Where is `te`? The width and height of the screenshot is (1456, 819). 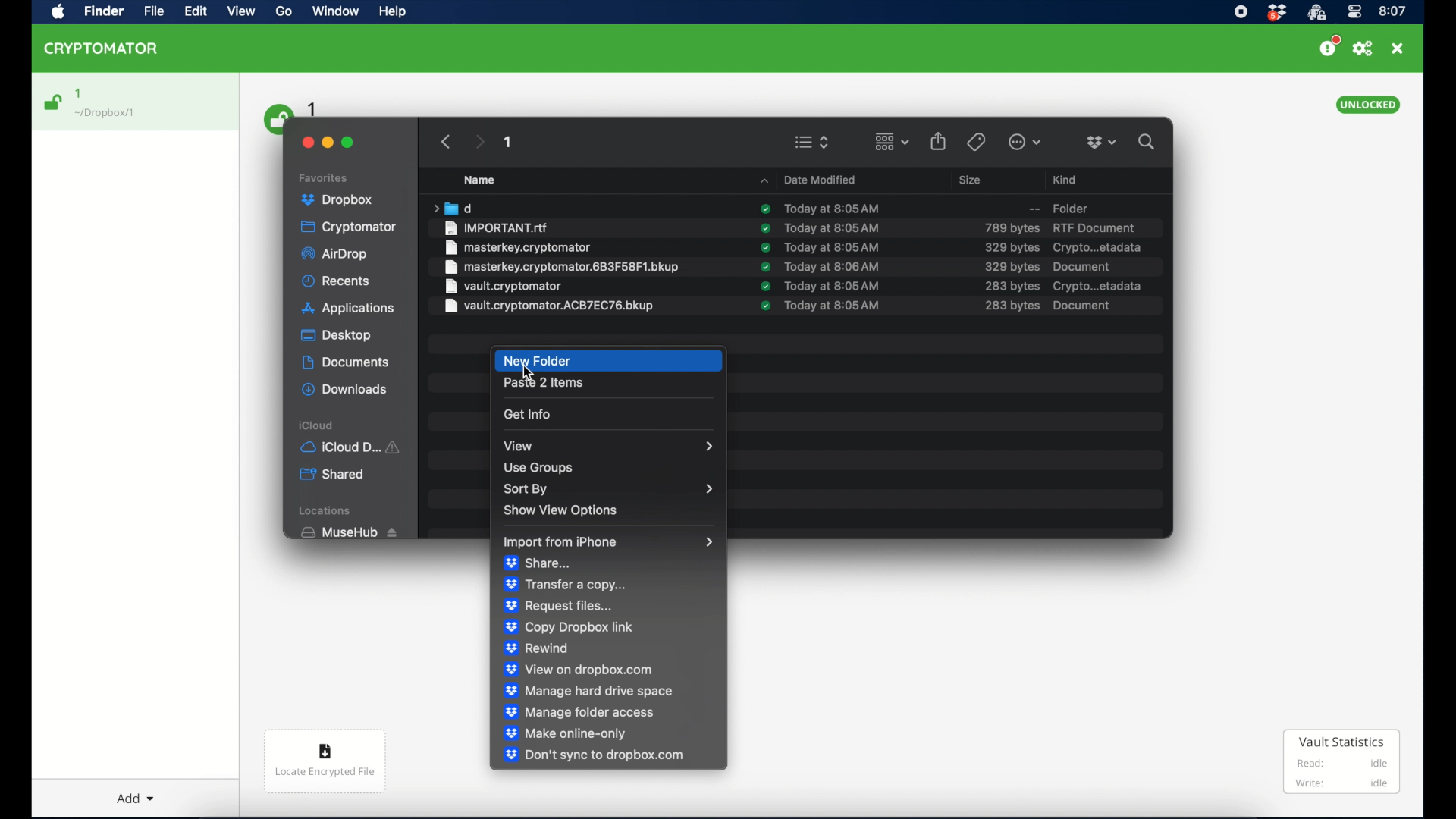
te is located at coordinates (833, 227).